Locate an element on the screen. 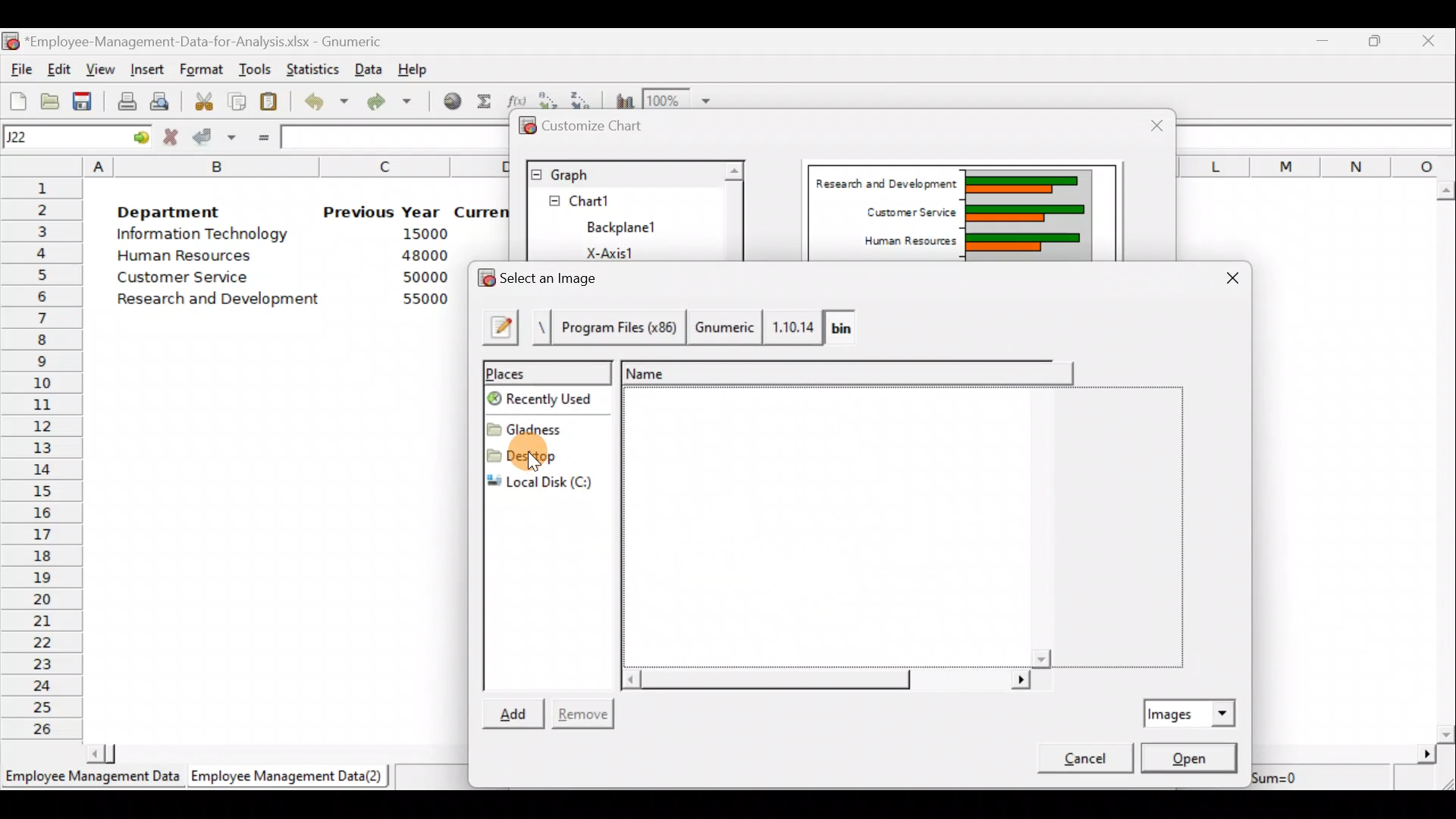 The width and height of the screenshot is (1456, 819). Chart Preview is located at coordinates (1025, 214).